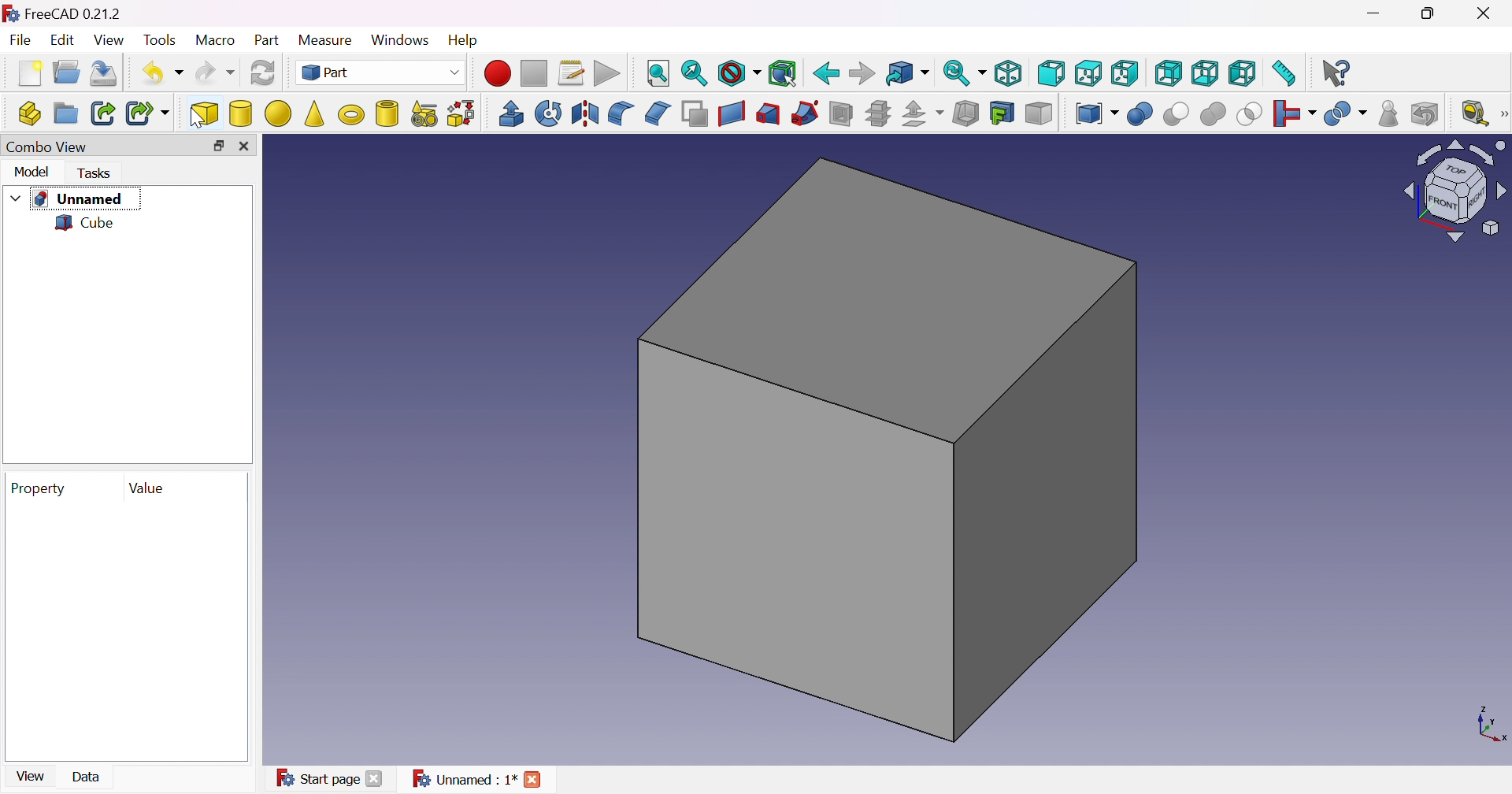 The height and width of the screenshot is (794, 1512). What do you see at coordinates (380, 74) in the screenshot?
I see `Part` at bounding box center [380, 74].